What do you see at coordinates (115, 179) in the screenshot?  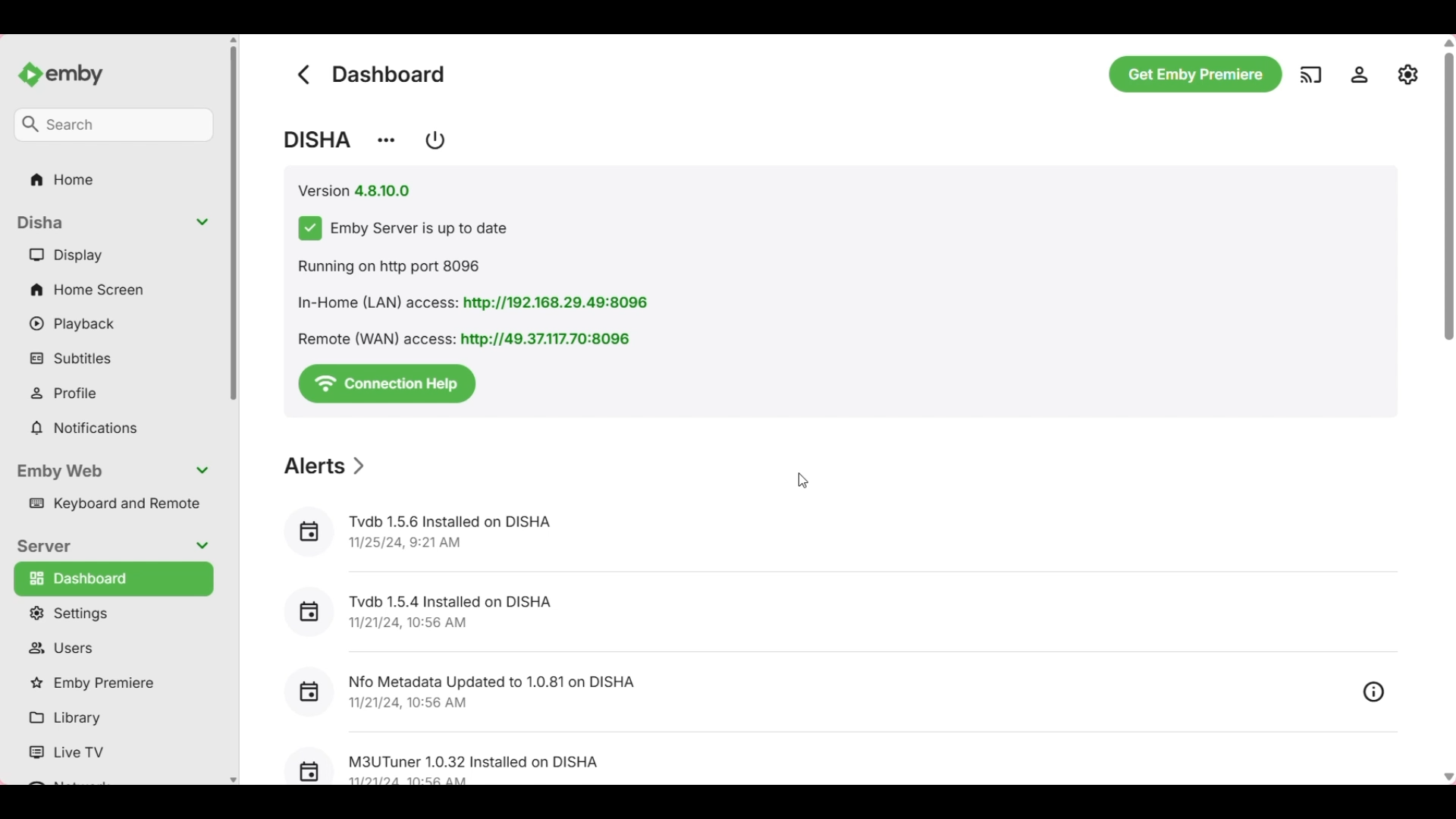 I see `Home folder` at bounding box center [115, 179].